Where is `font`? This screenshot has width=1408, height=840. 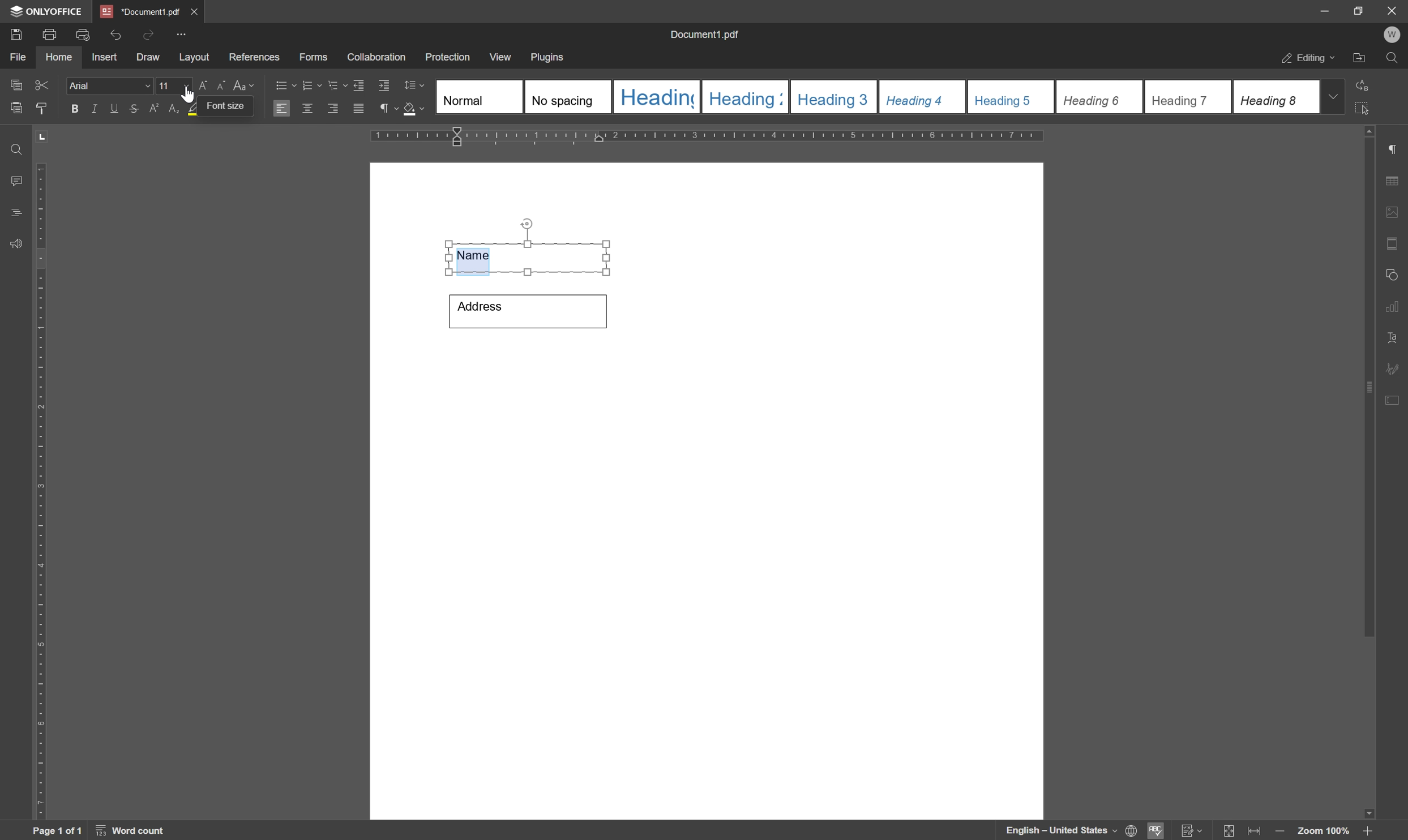
font is located at coordinates (110, 86).